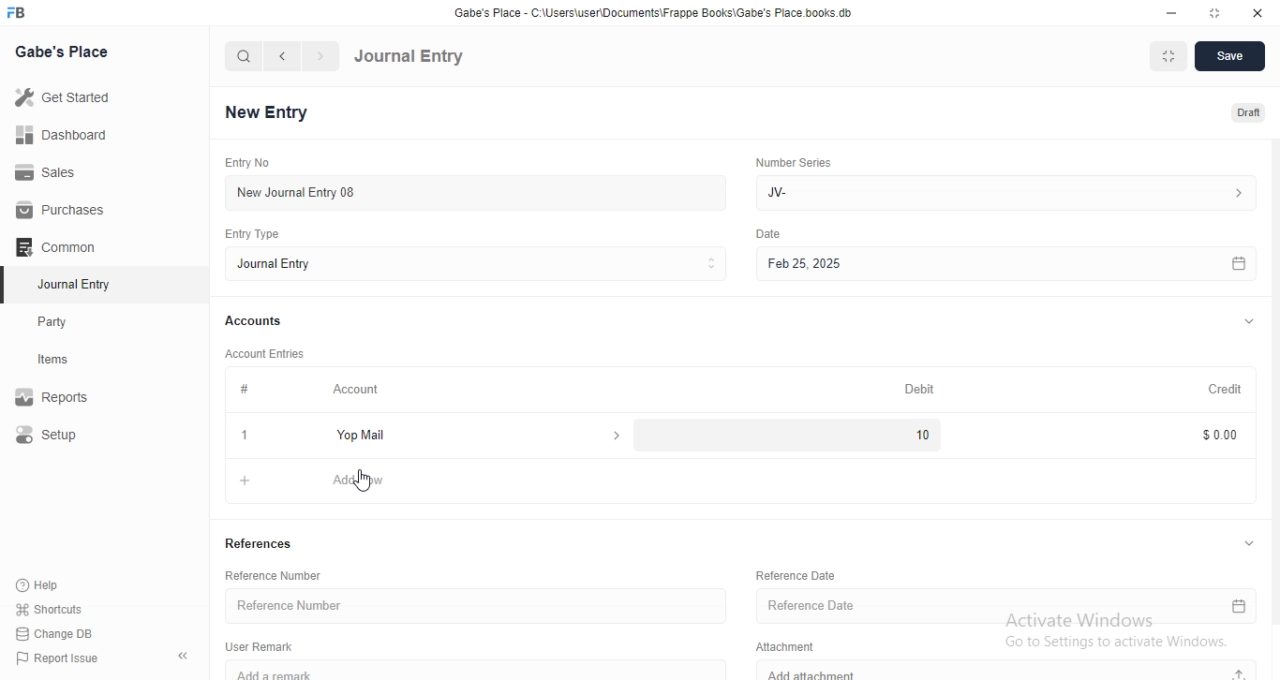  What do you see at coordinates (57, 173) in the screenshot?
I see `Sales` at bounding box center [57, 173].